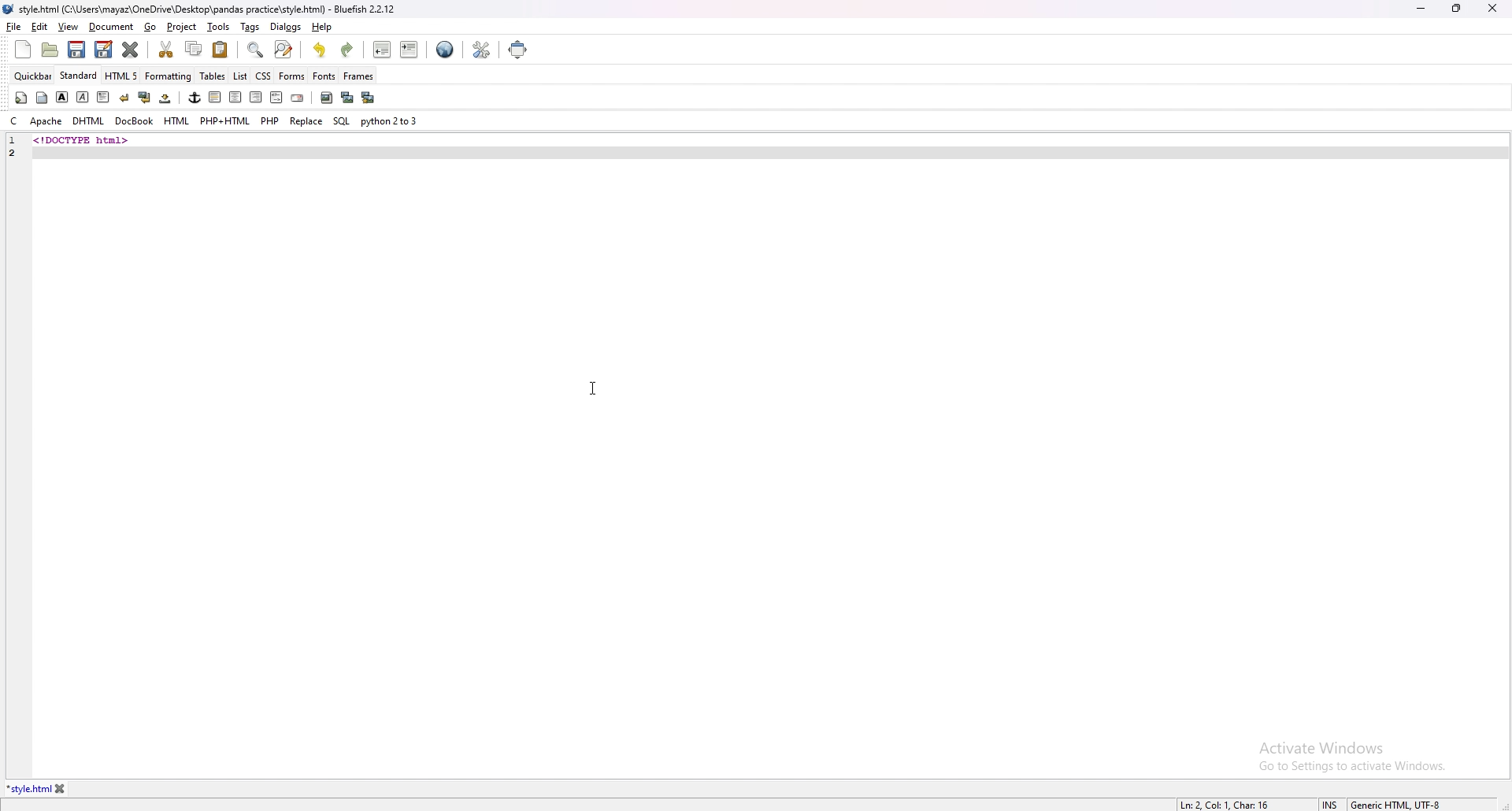 Image resolution: width=1512 pixels, height=811 pixels. Describe the element at coordinates (13, 141) in the screenshot. I see `line number` at that location.